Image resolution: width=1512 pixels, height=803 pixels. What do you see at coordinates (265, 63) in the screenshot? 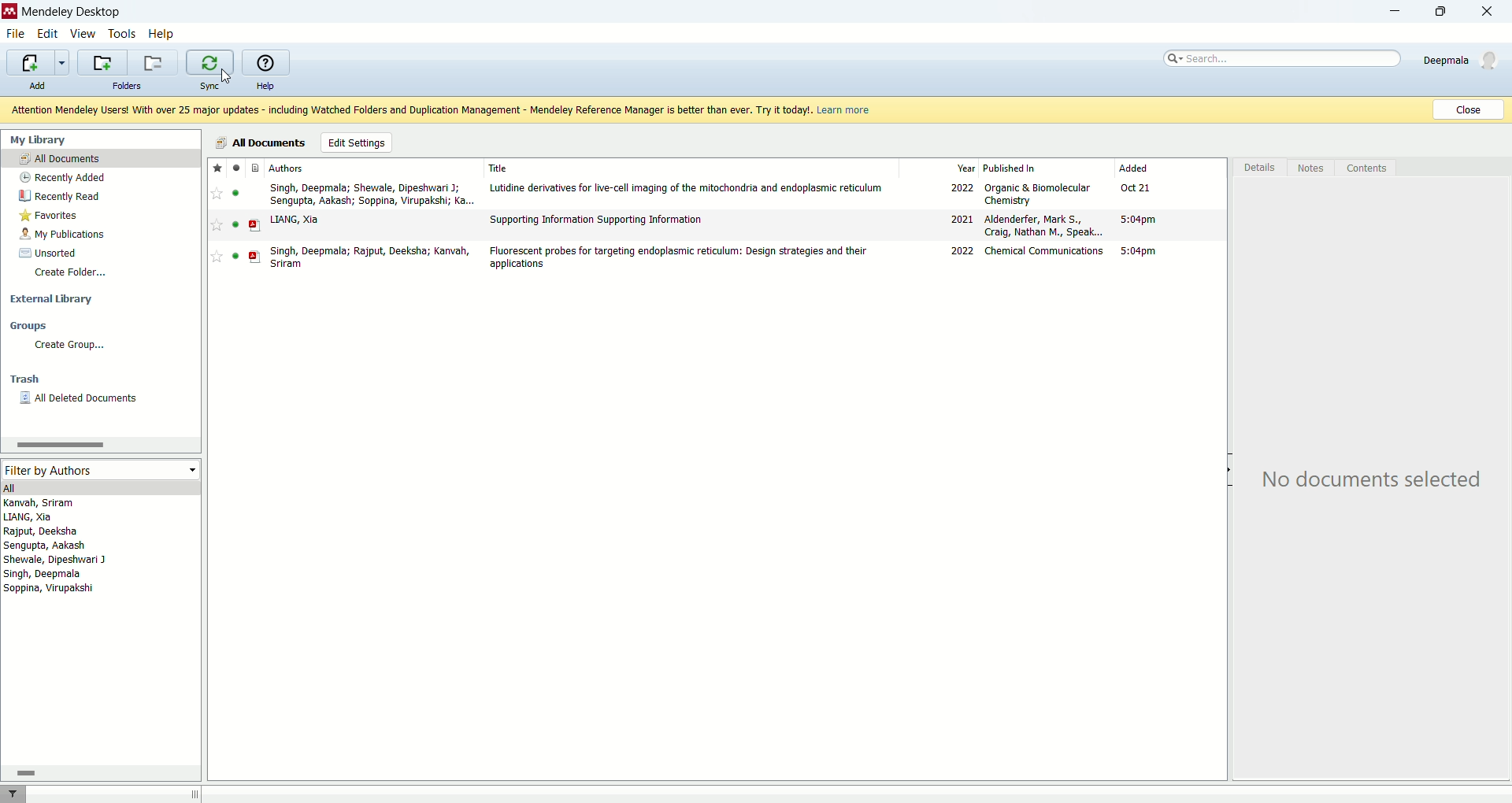
I see `online help guide for mendeley` at bounding box center [265, 63].